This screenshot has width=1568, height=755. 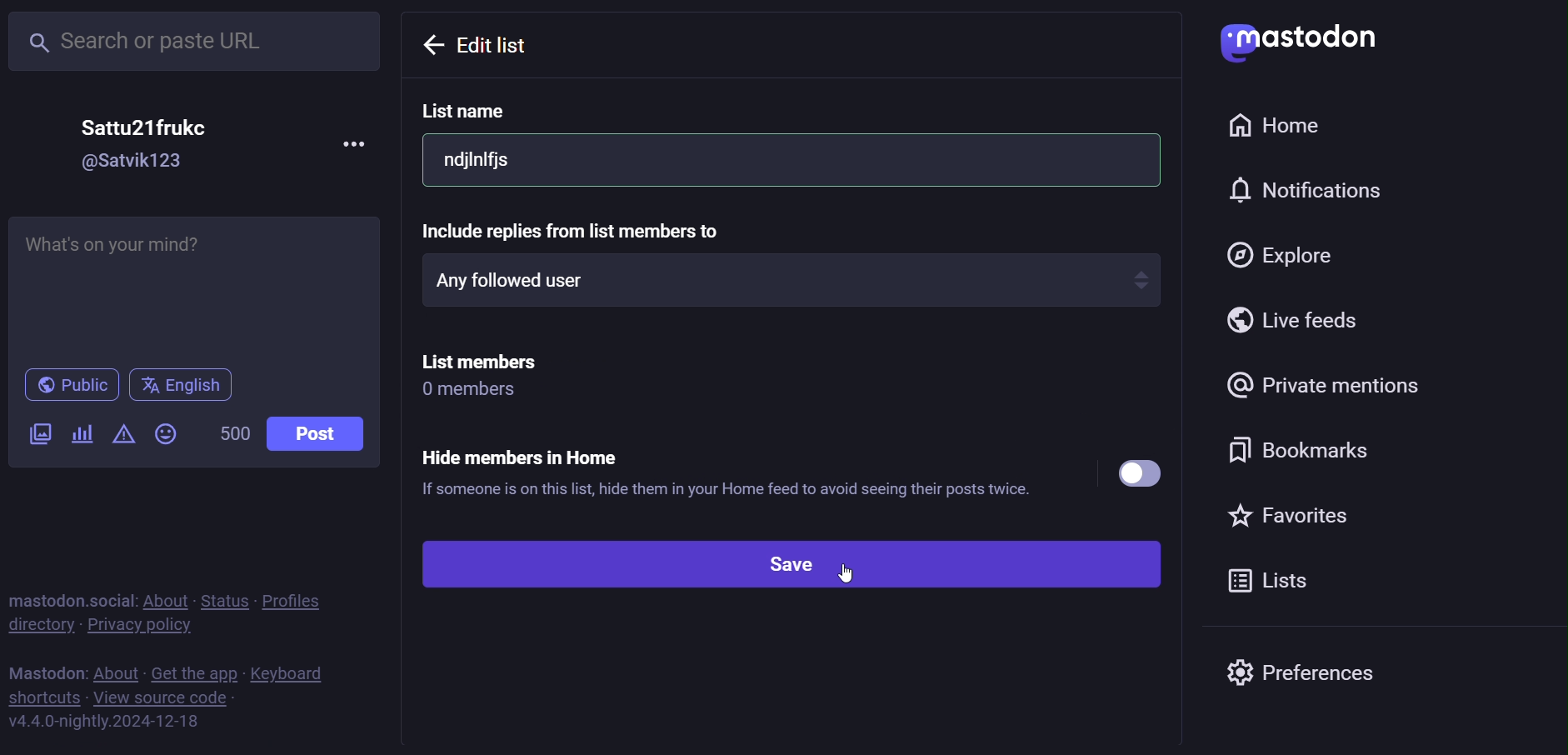 What do you see at coordinates (39, 623) in the screenshot?
I see `directory` at bounding box center [39, 623].